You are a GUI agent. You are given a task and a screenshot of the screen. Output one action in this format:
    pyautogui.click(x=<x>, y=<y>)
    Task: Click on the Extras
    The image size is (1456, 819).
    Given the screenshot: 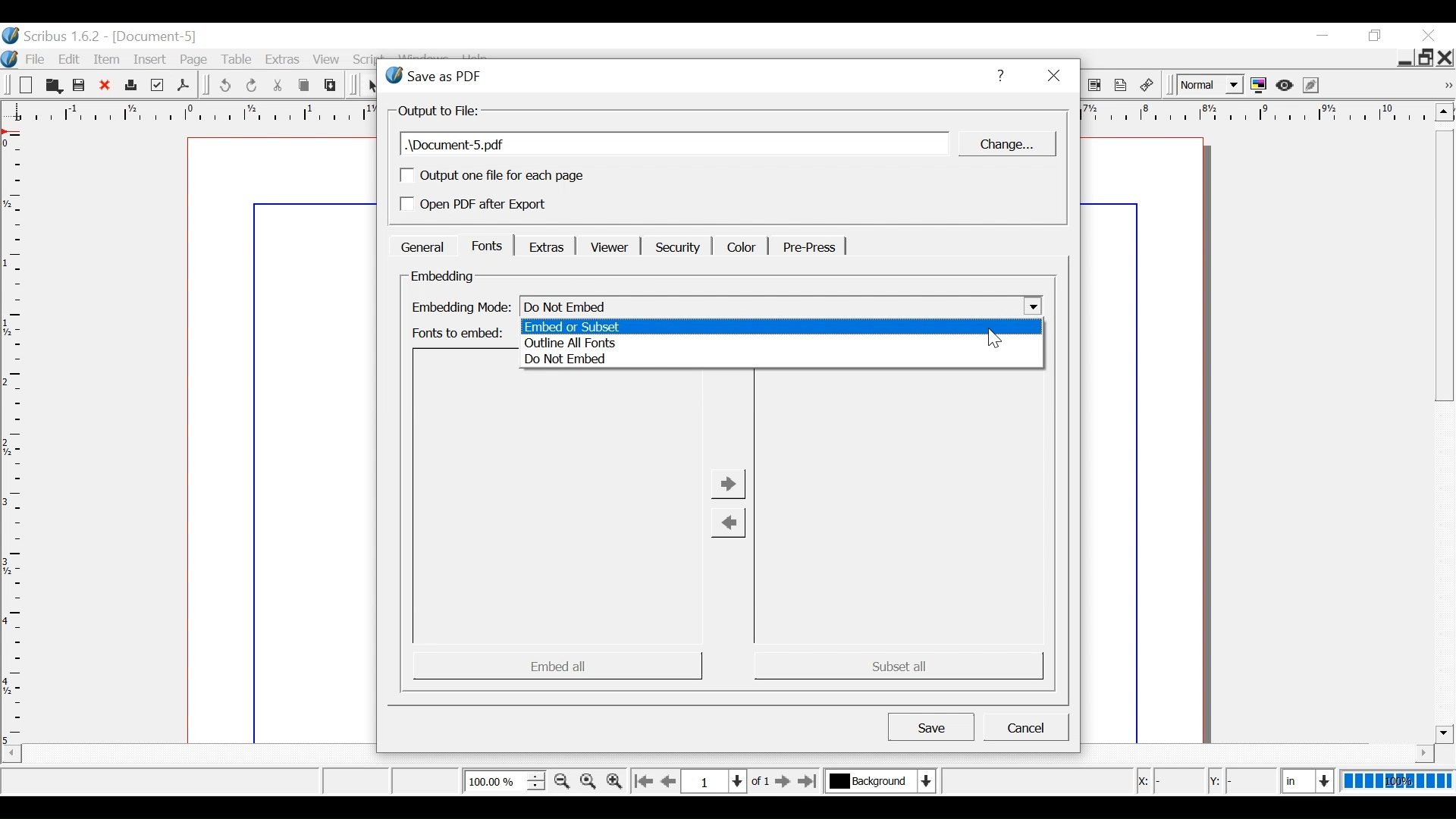 What is the action you would take?
    pyautogui.click(x=544, y=246)
    